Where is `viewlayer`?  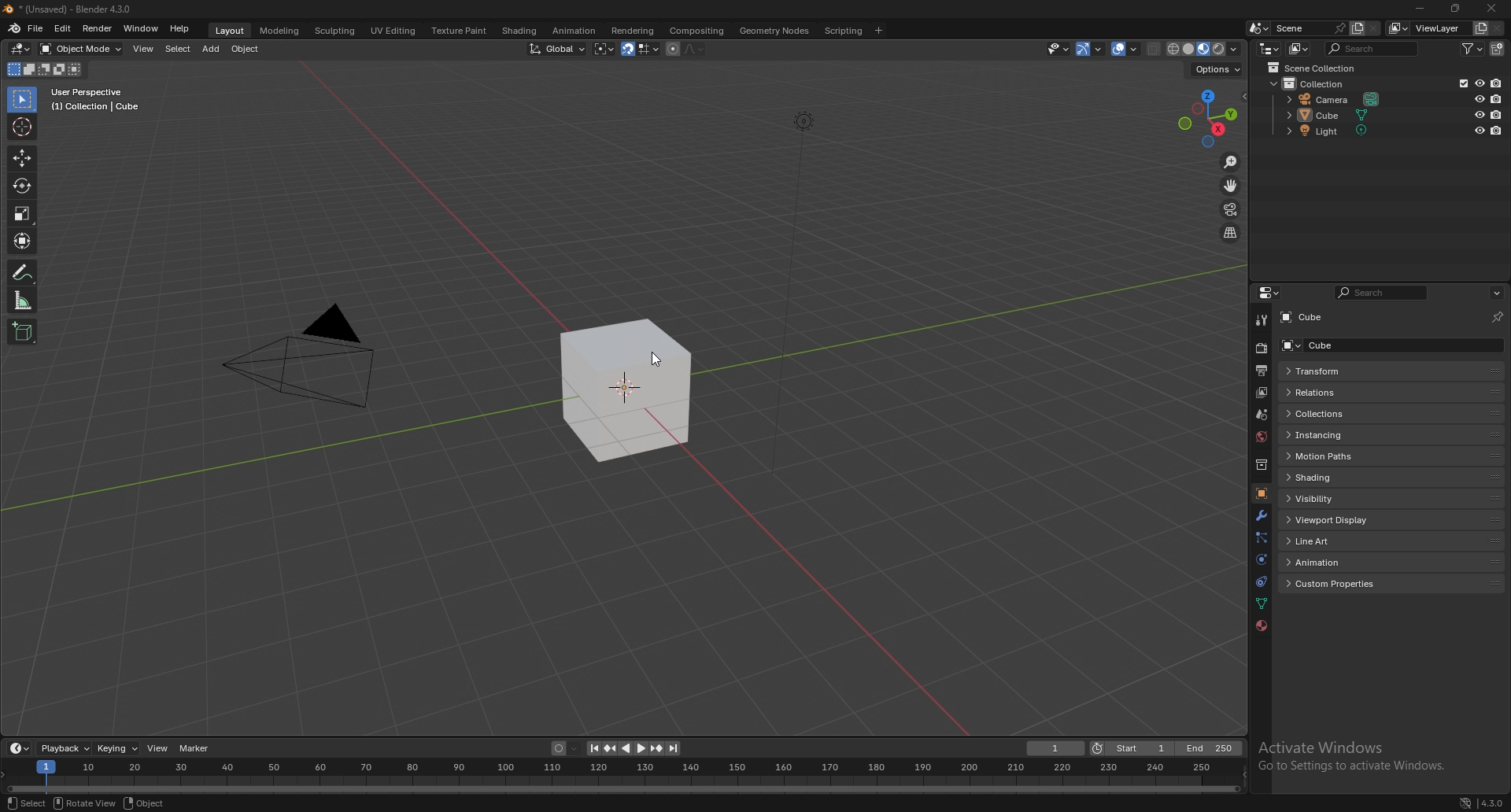
viewlayer is located at coordinates (1263, 393).